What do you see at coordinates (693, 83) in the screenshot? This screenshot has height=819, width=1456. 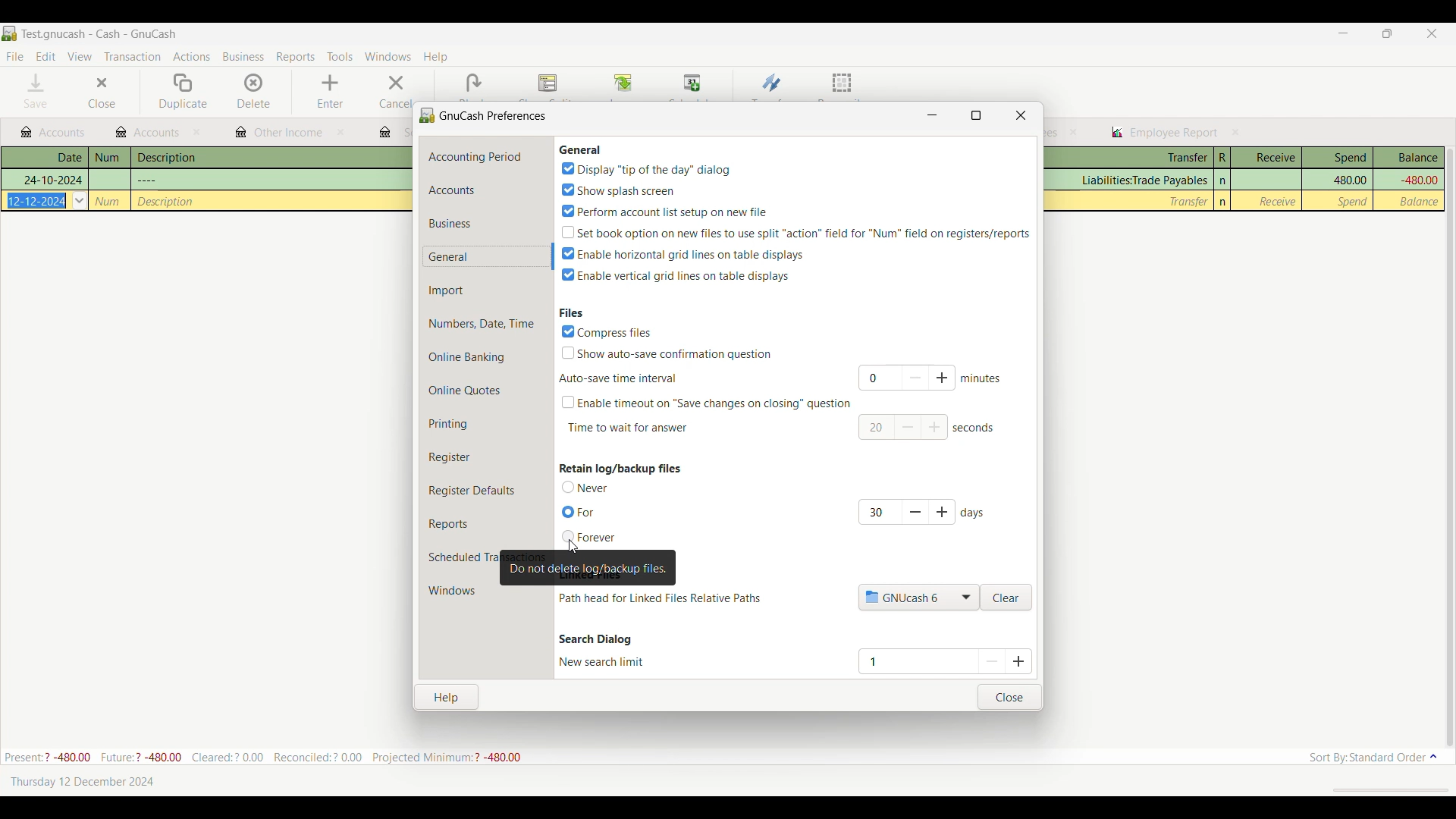 I see `Schedule` at bounding box center [693, 83].